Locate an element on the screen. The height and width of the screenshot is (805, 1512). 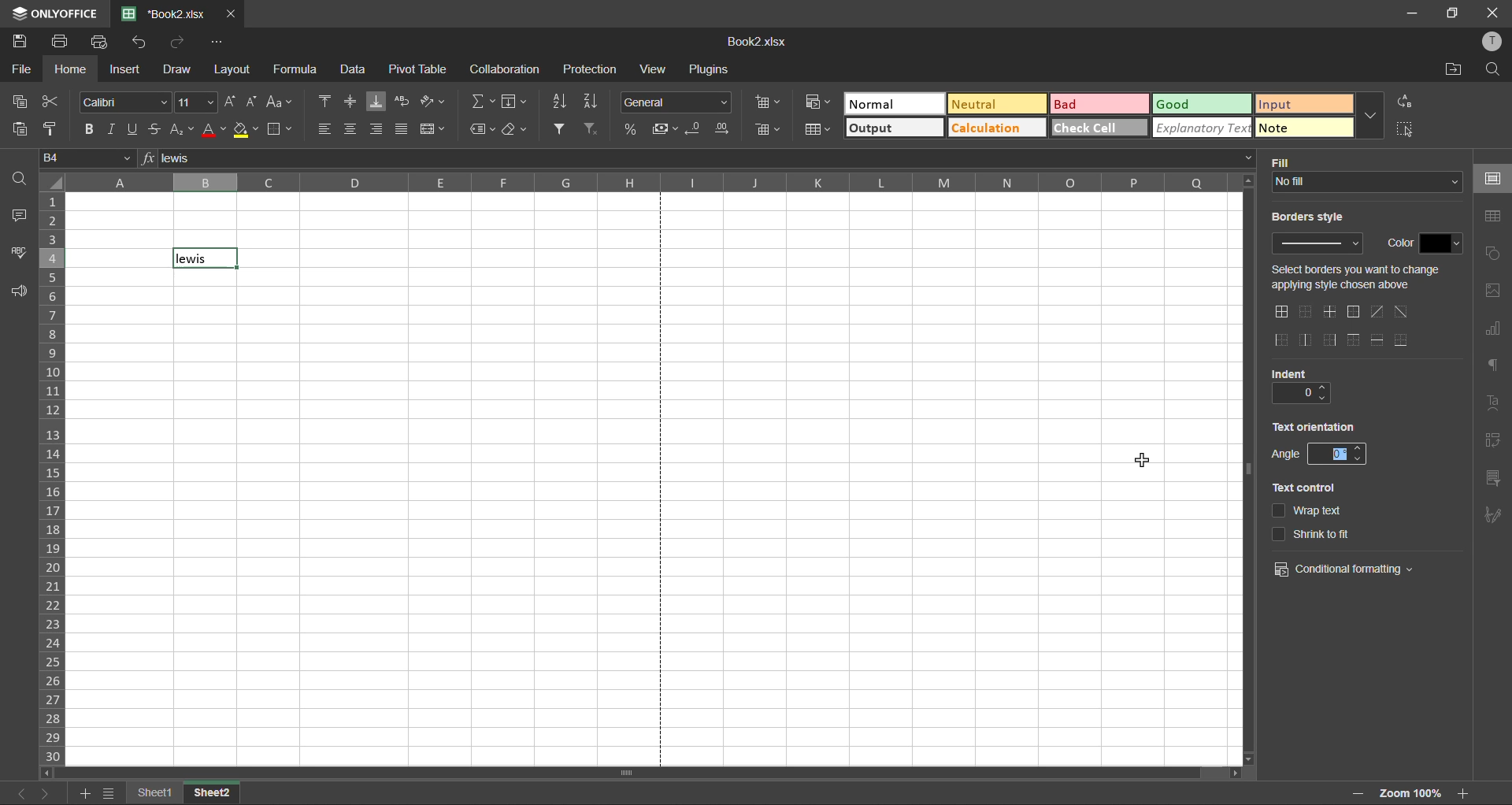
font size is located at coordinates (194, 102).